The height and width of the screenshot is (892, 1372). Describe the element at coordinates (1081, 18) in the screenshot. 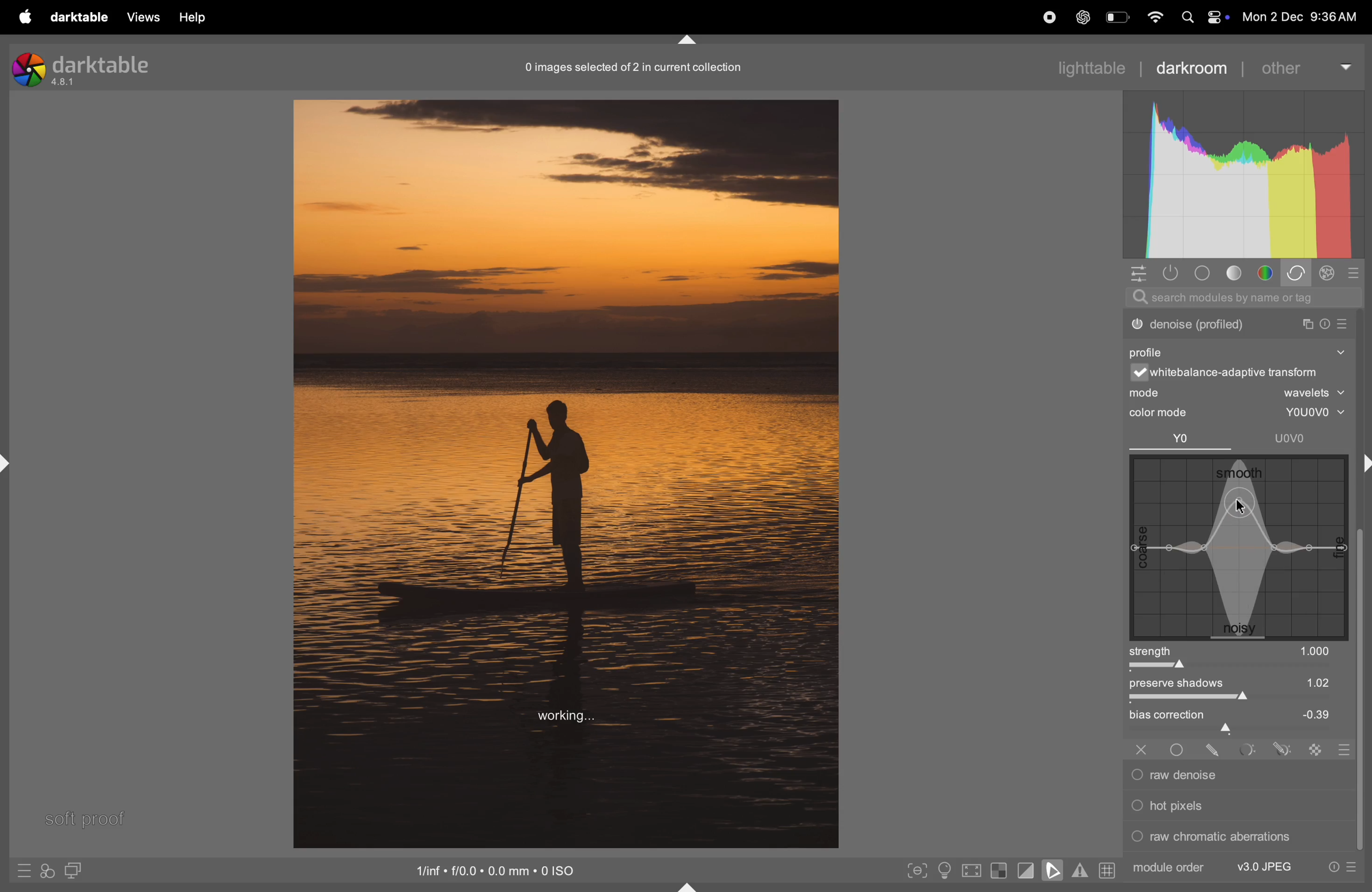

I see `chatgpt` at that location.